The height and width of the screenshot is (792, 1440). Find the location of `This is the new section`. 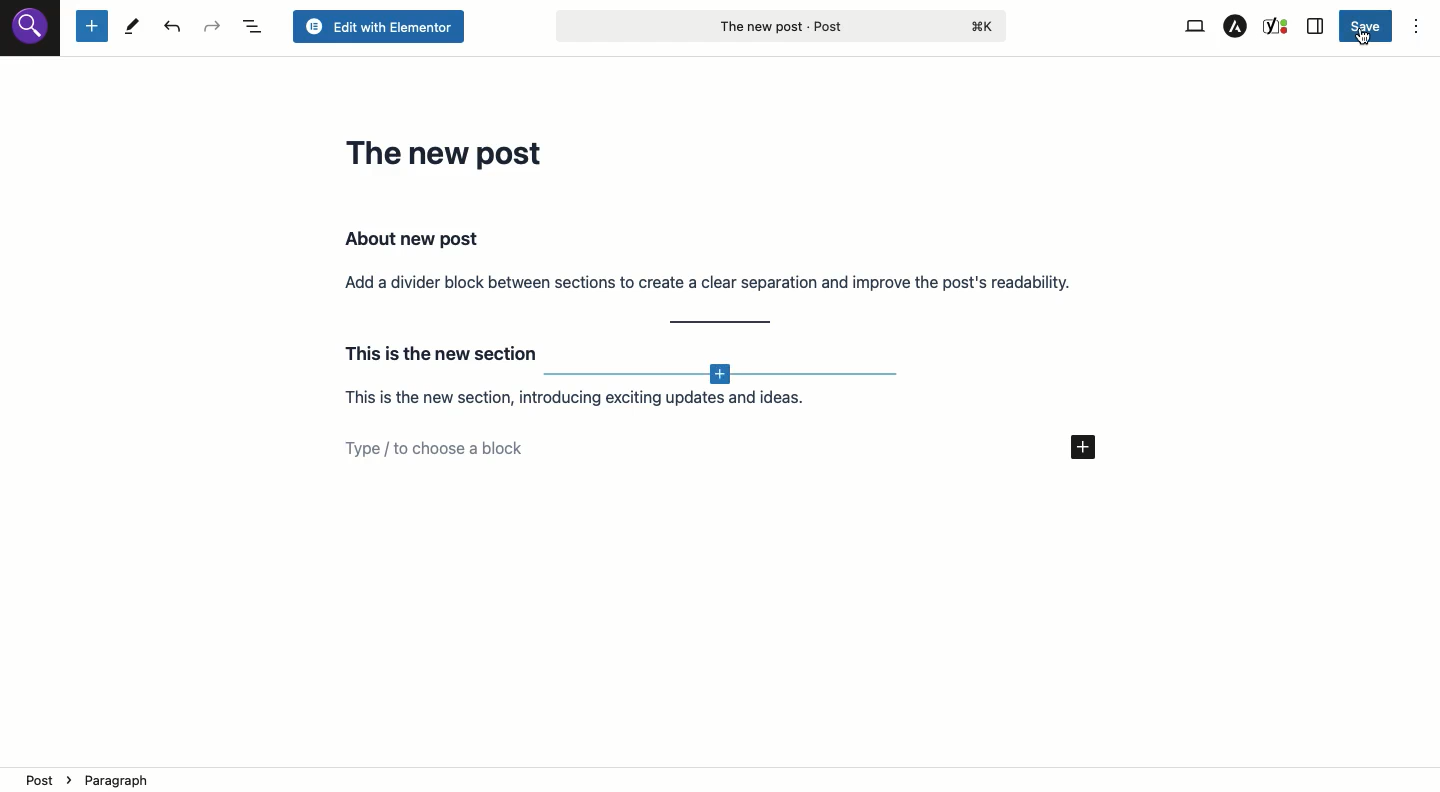

This is the new section is located at coordinates (437, 350).